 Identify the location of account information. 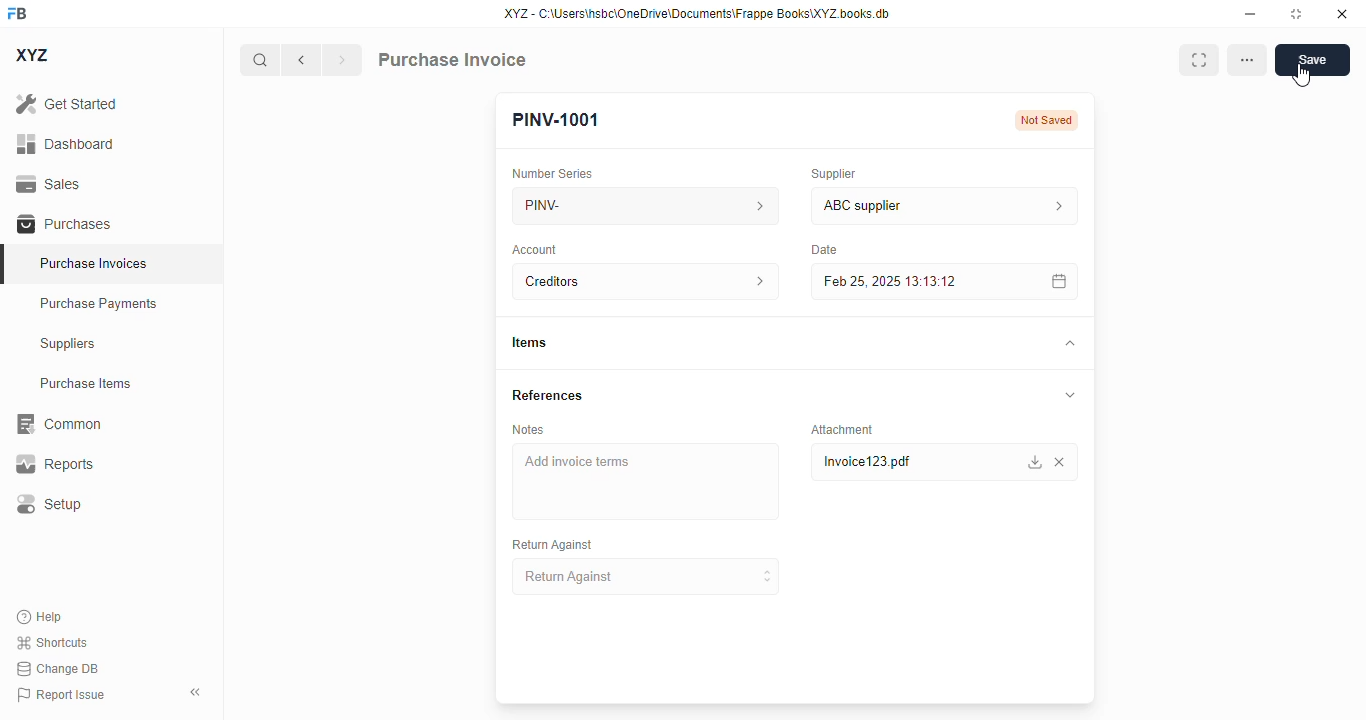
(753, 282).